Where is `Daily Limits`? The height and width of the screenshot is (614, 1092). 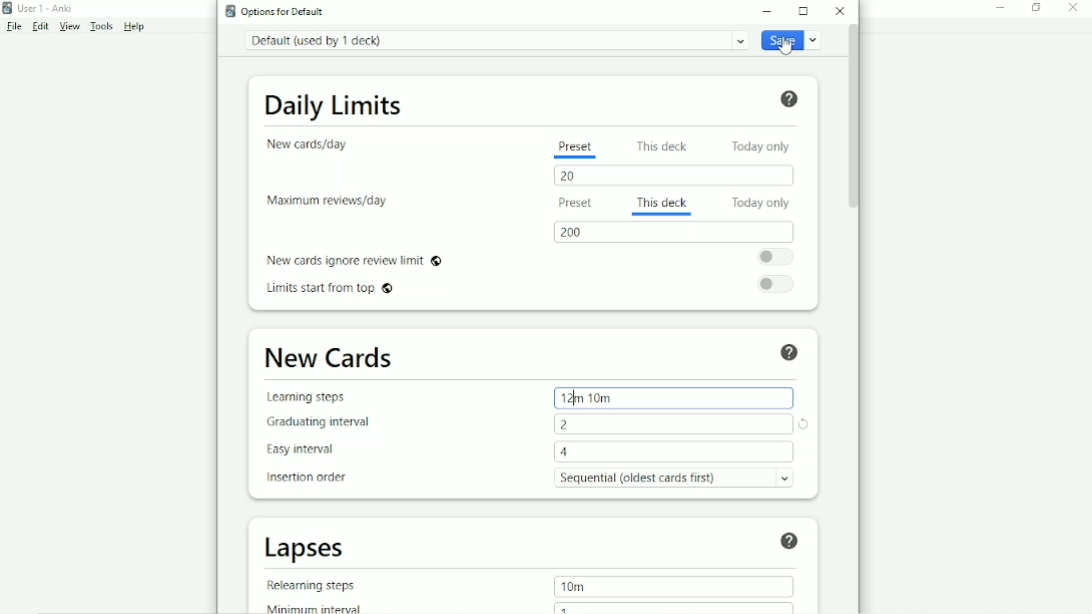 Daily Limits is located at coordinates (334, 106).